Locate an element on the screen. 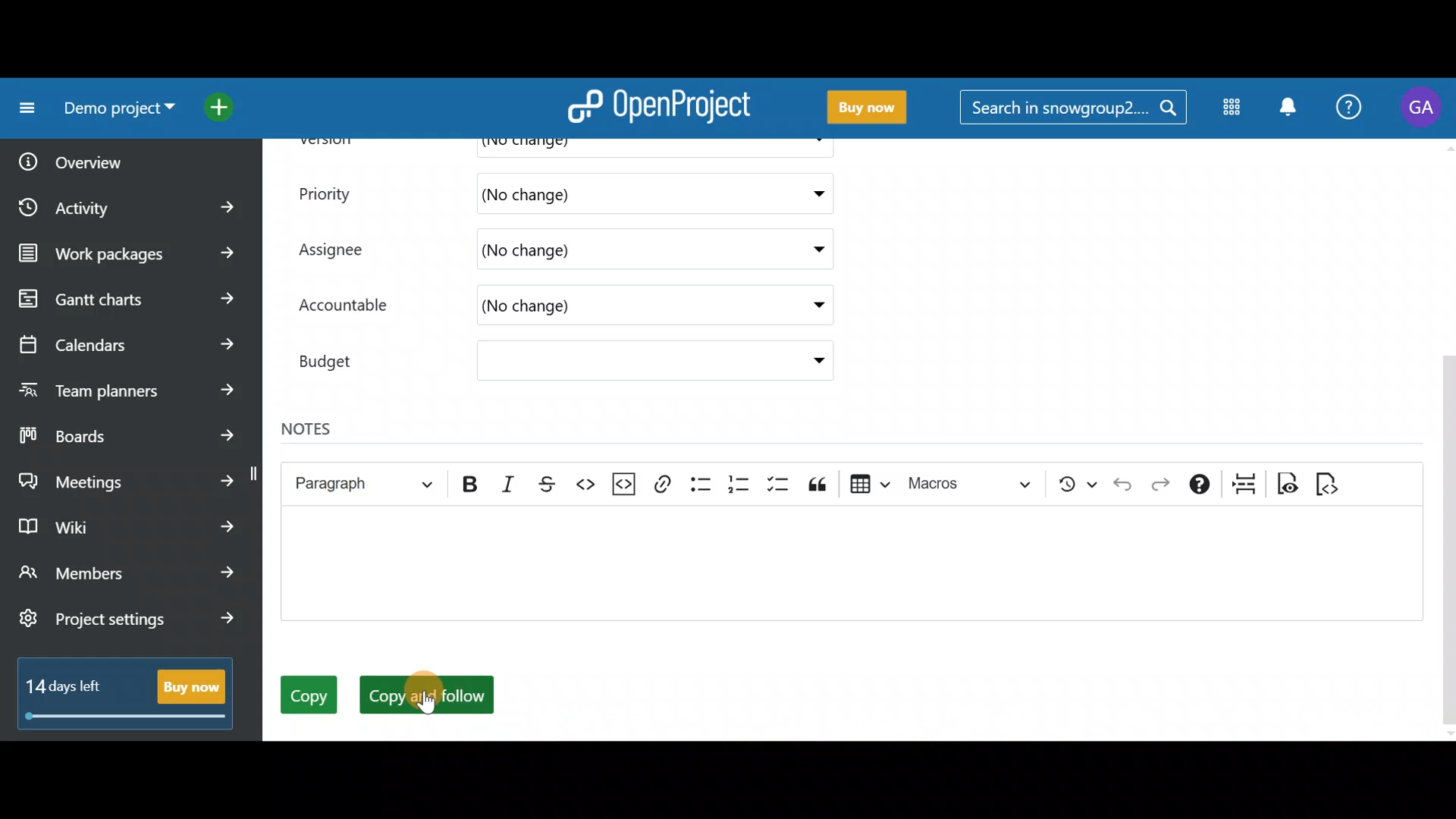  Bold is located at coordinates (473, 486).